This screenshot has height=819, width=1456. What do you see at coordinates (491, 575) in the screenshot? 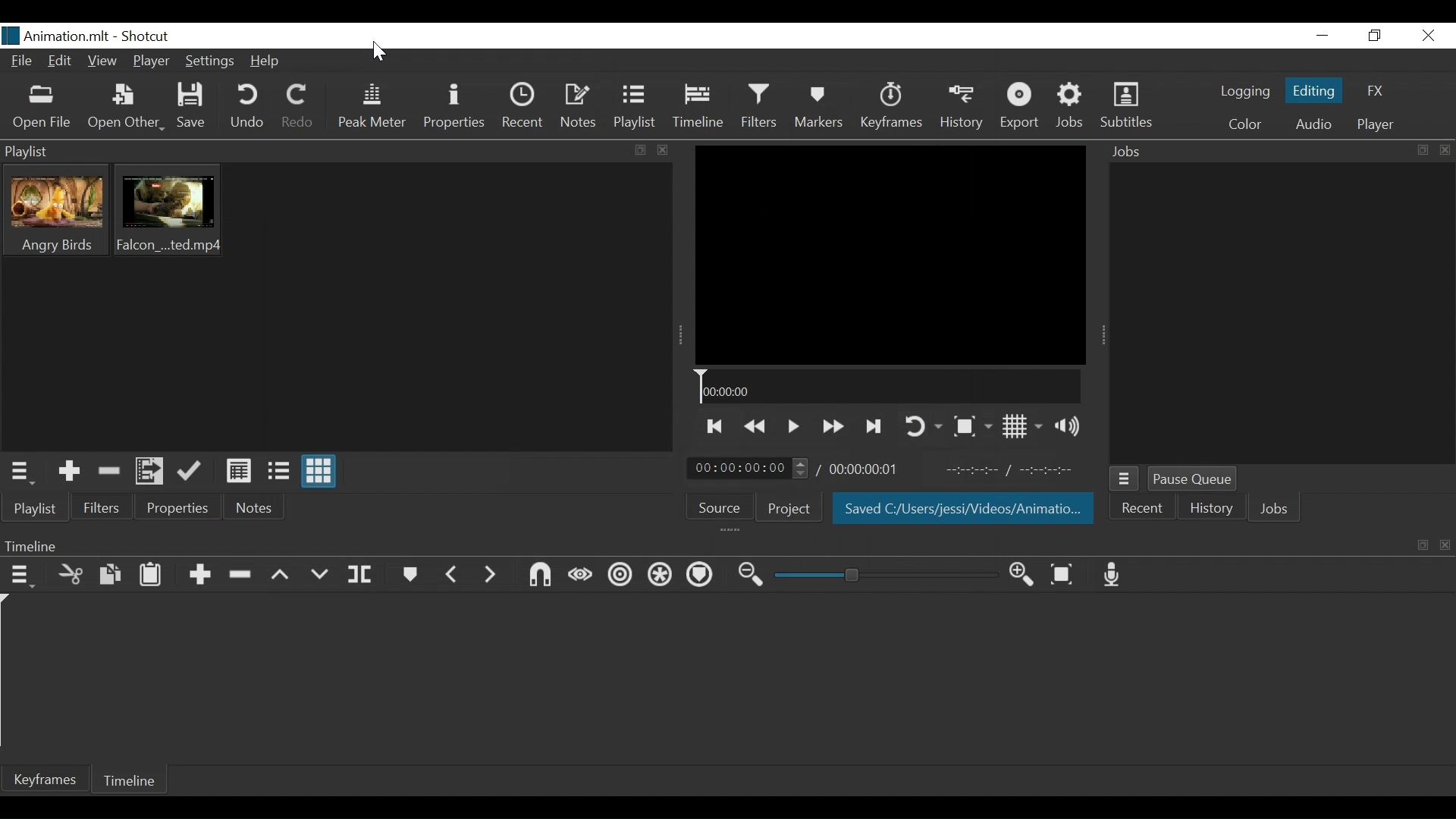
I see `Next Marker` at bounding box center [491, 575].